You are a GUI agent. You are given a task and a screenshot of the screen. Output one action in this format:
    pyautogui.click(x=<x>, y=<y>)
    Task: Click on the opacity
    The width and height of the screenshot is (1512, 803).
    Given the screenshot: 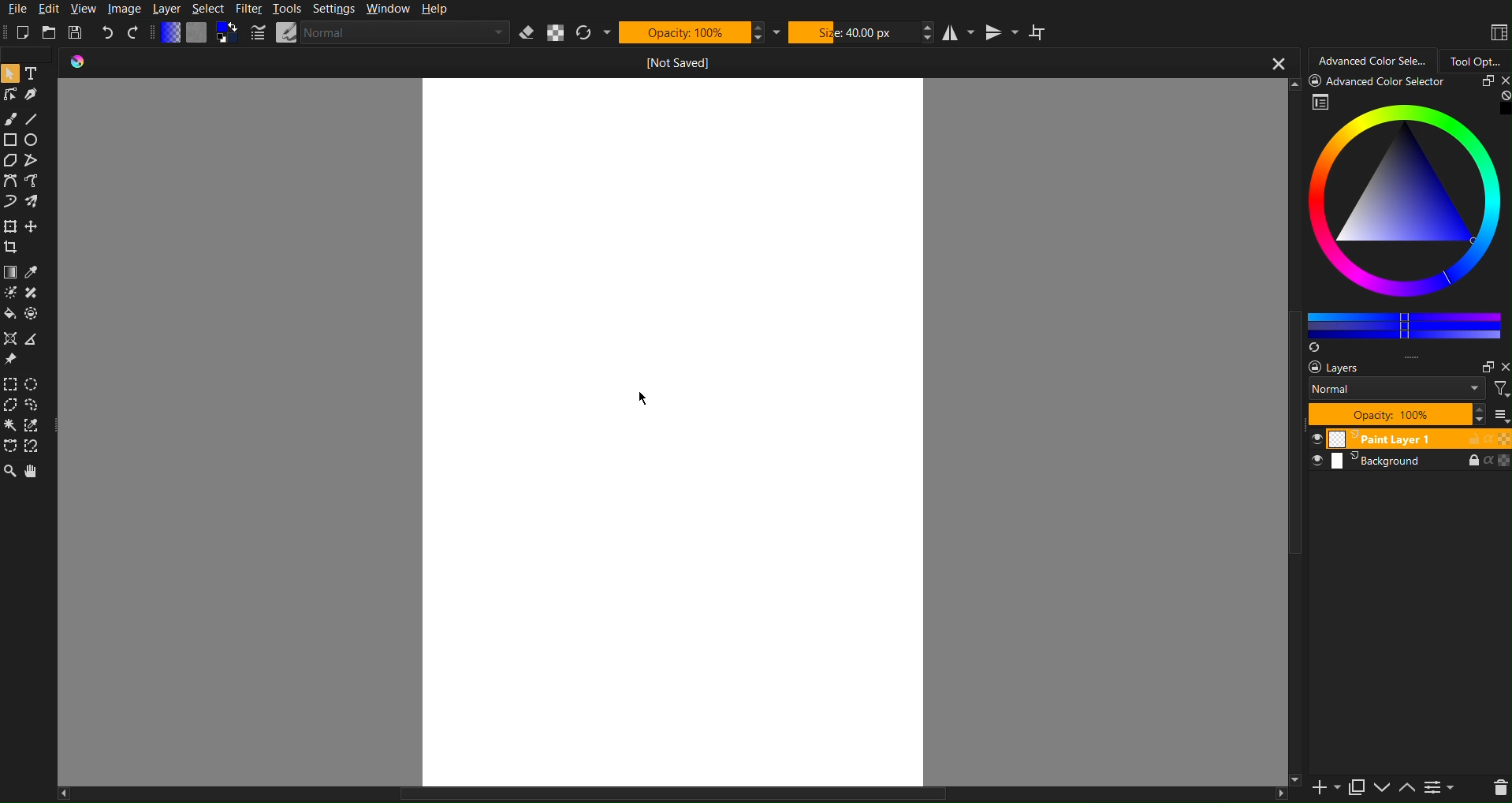 What is the action you would take?
    pyautogui.click(x=1503, y=439)
    